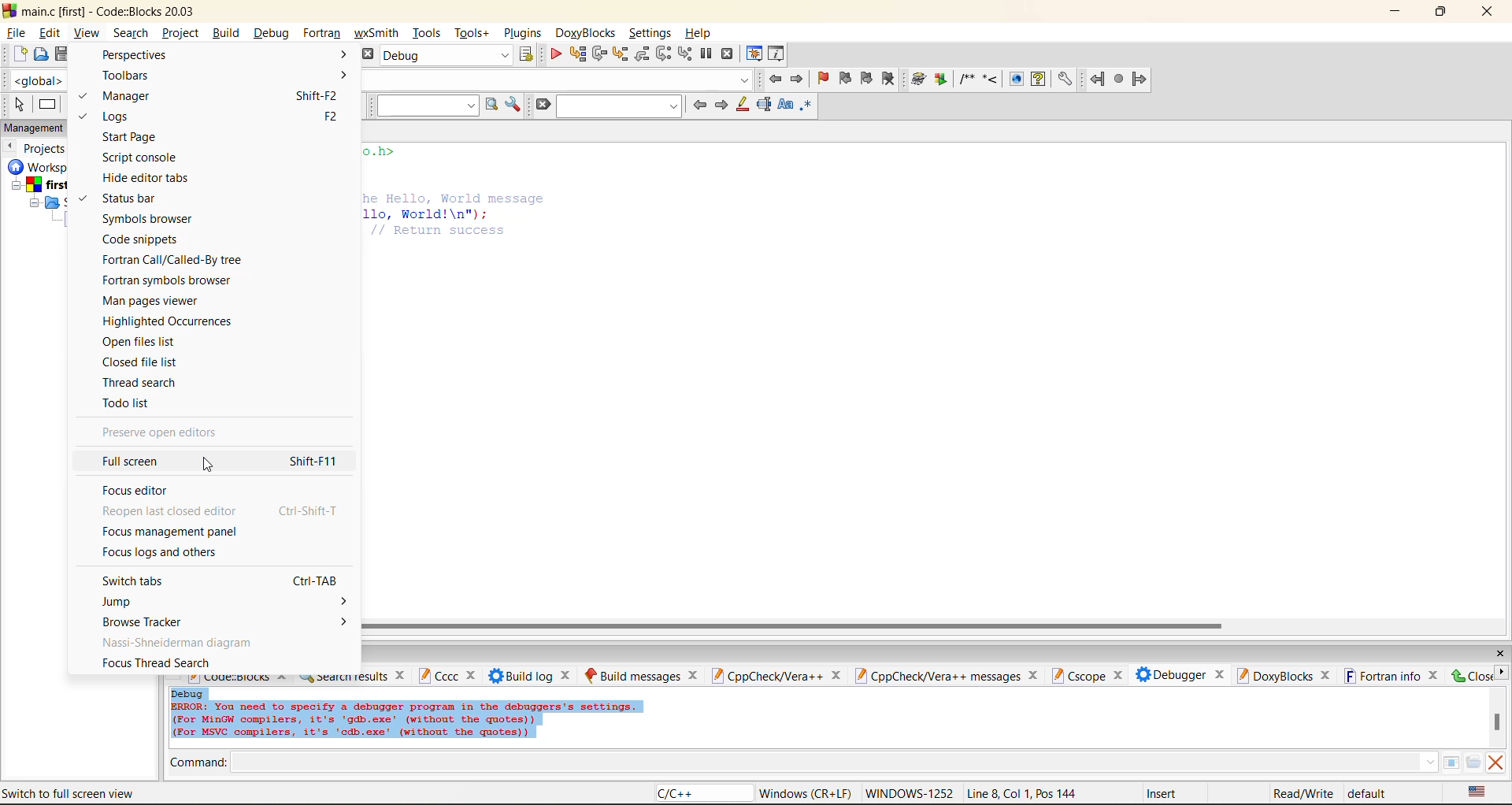 This screenshot has height=805, width=1512. I want to click on open files list, so click(154, 342).